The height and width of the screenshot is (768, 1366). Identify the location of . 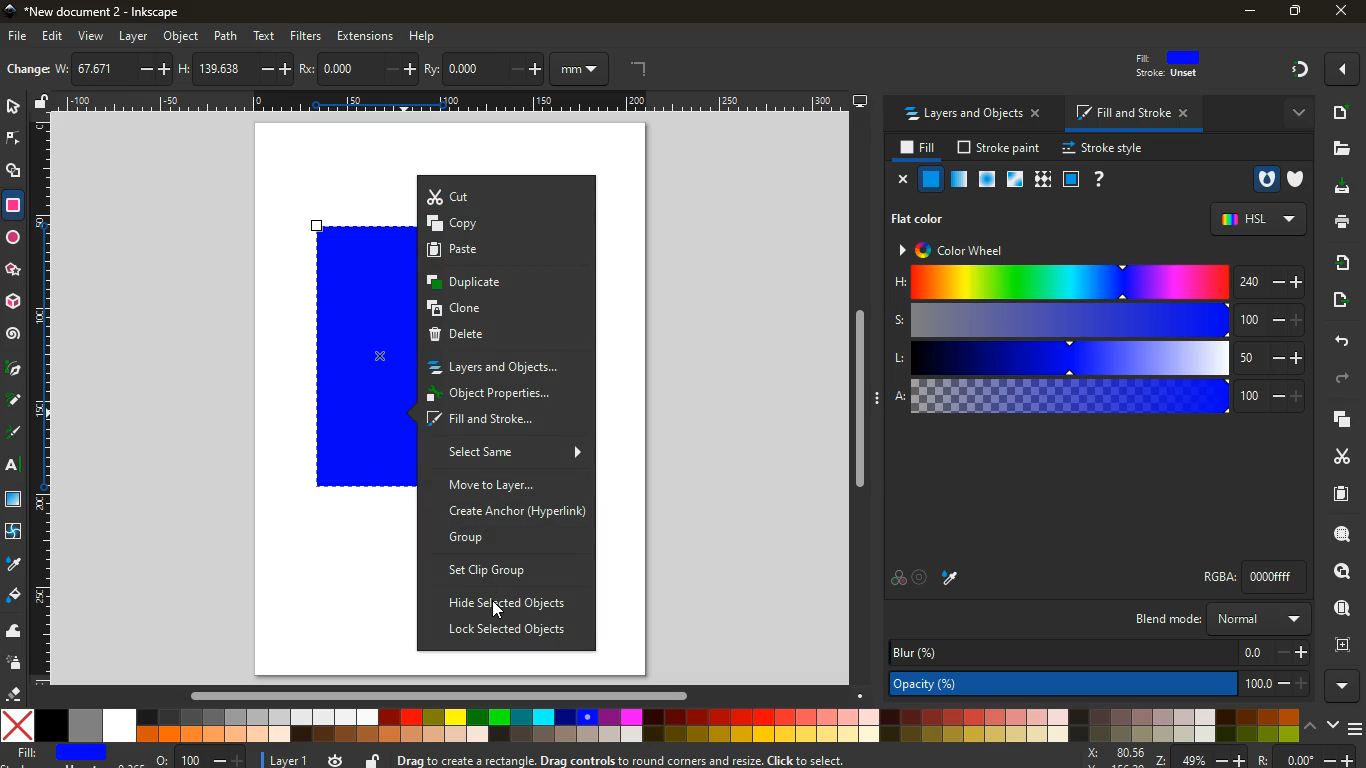
(449, 695).